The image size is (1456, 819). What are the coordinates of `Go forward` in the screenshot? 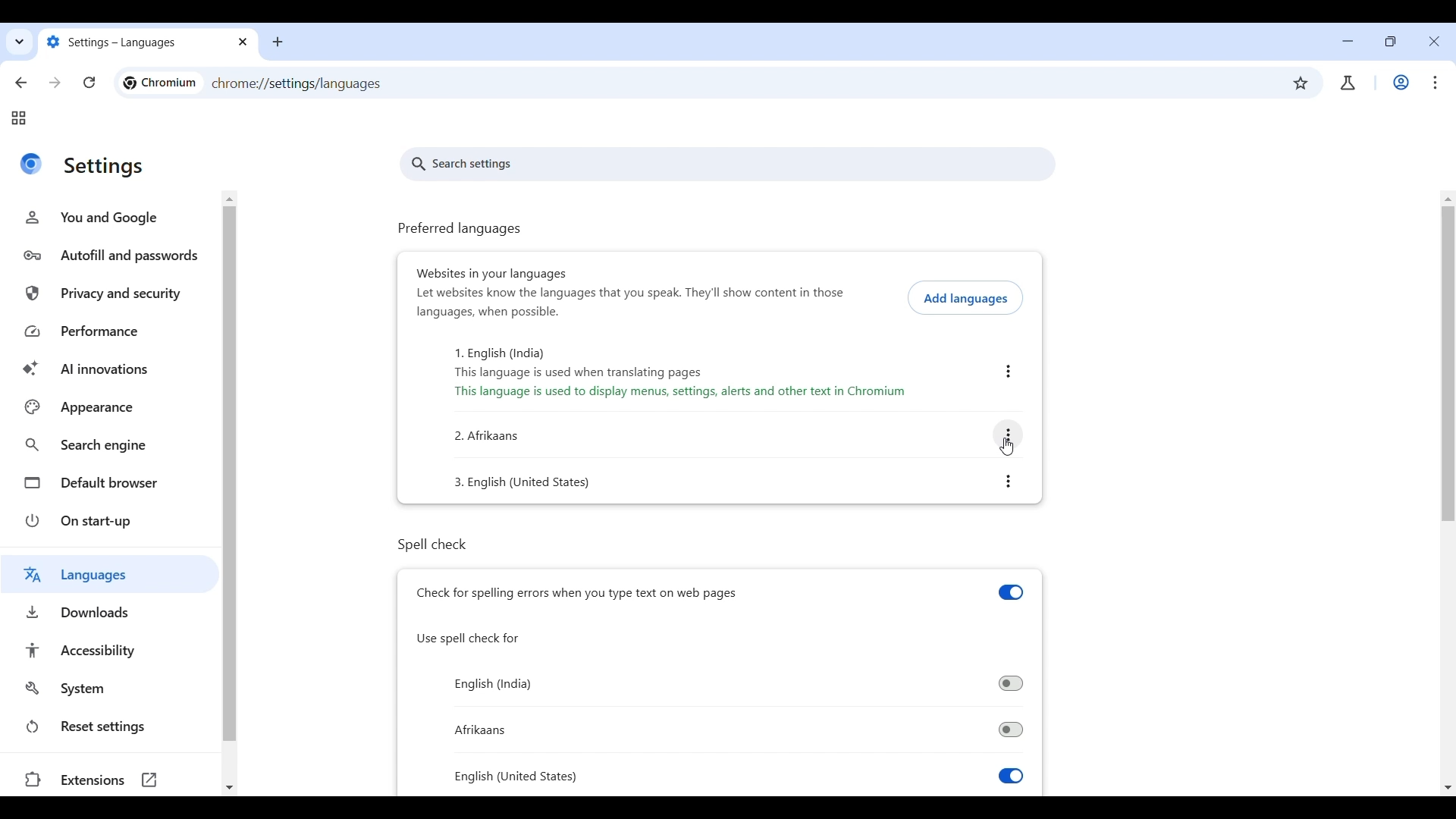 It's located at (54, 83).